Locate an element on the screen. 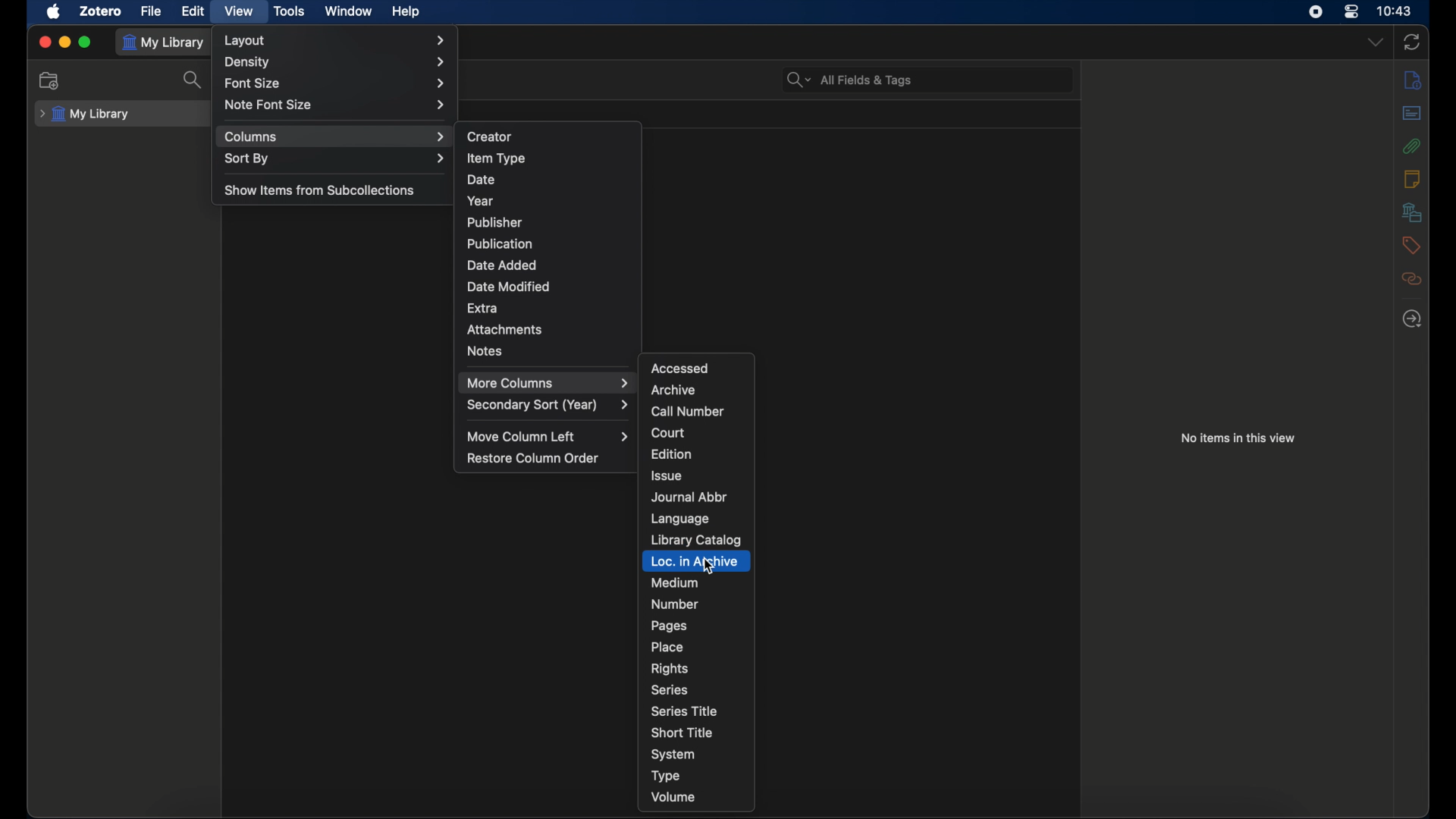  system is located at coordinates (673, 755).